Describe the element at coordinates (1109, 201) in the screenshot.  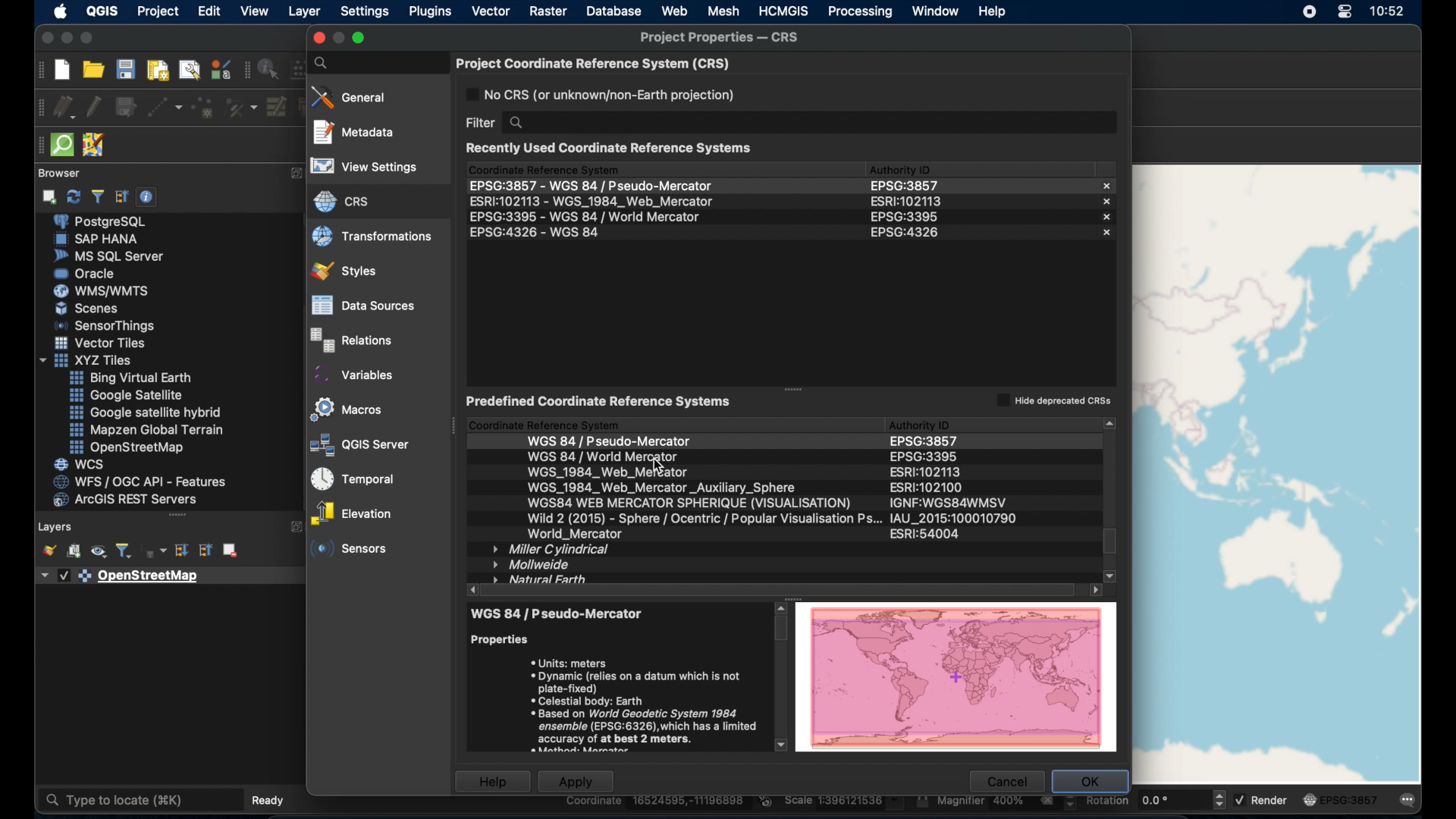
I see `close` at that location.